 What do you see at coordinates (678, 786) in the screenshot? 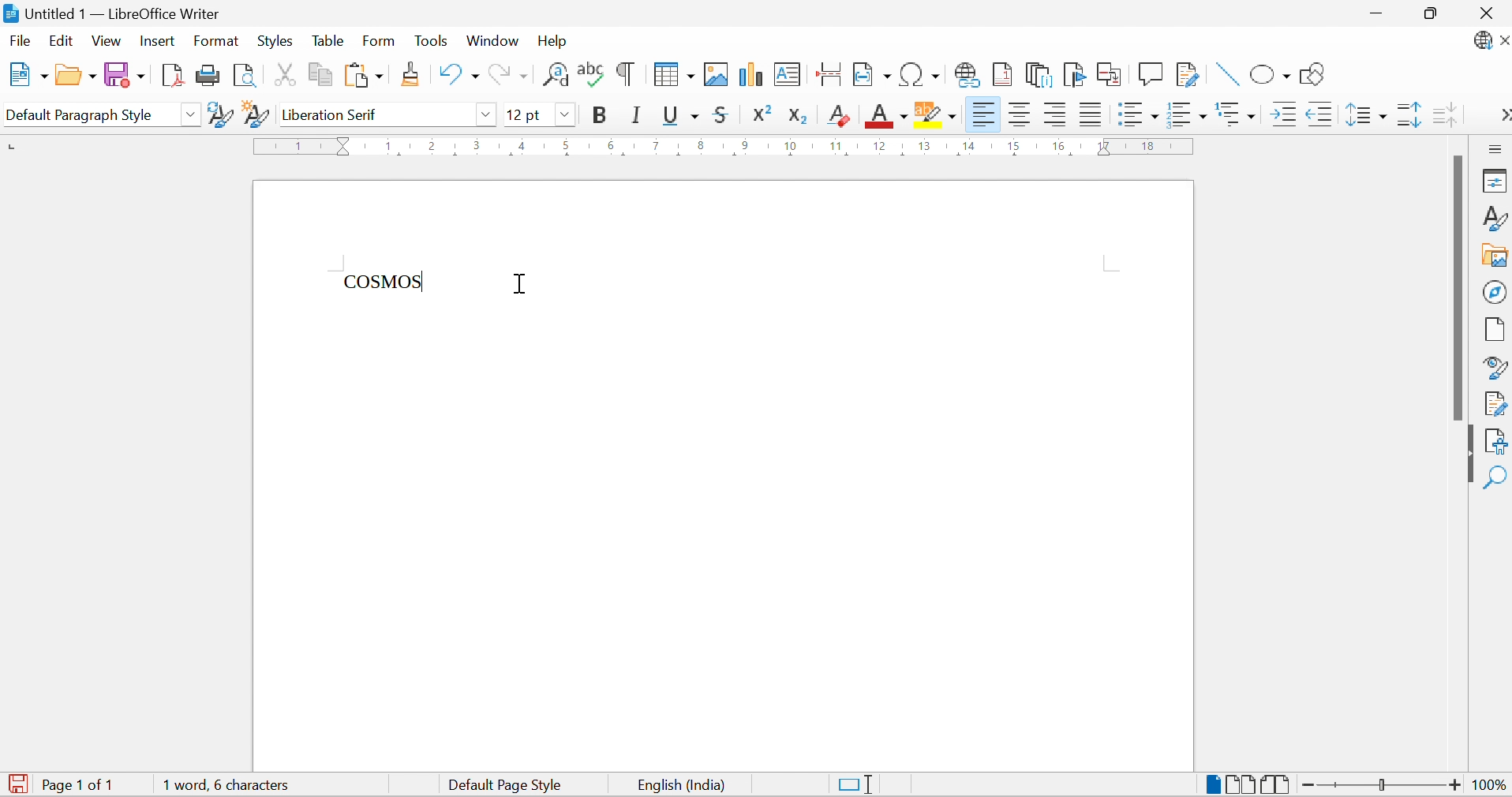
I see `English (India)` at bounding box center [678, 786].